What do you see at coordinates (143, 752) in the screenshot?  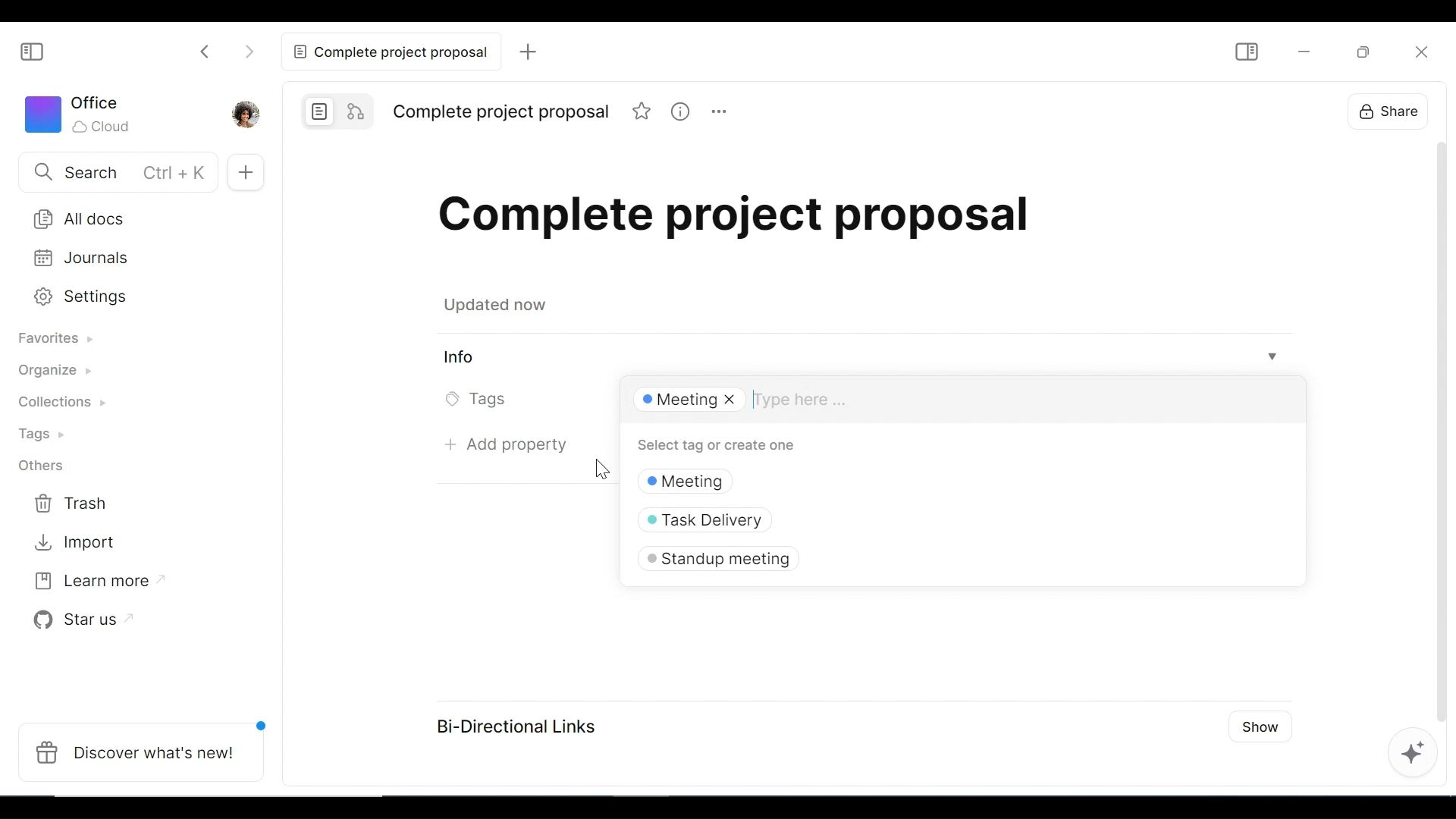 I see `Discover what's new` at bounding box center [143, 752].